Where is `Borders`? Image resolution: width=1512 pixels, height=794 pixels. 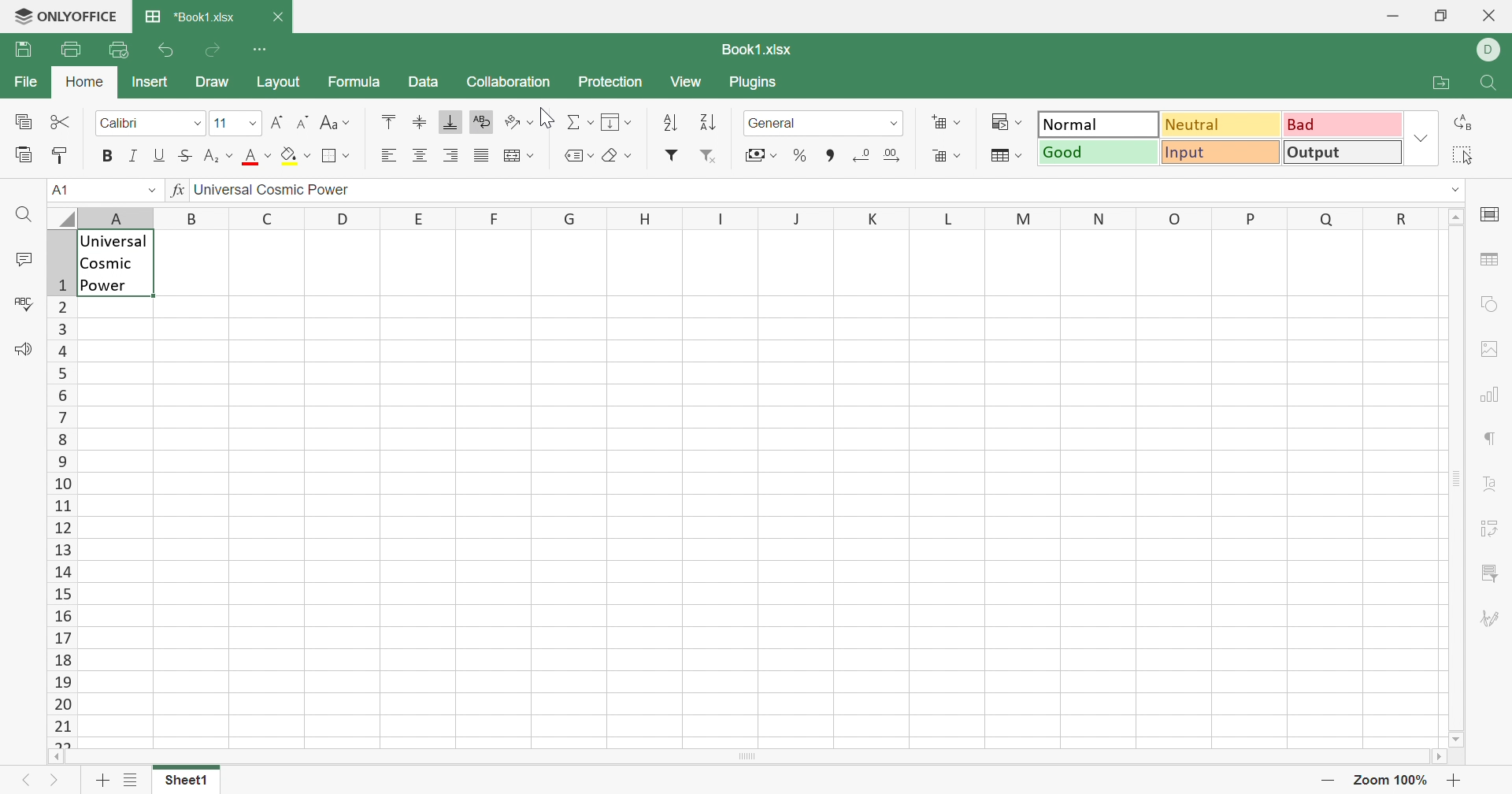 Borders is located at coordinates (339, 157).